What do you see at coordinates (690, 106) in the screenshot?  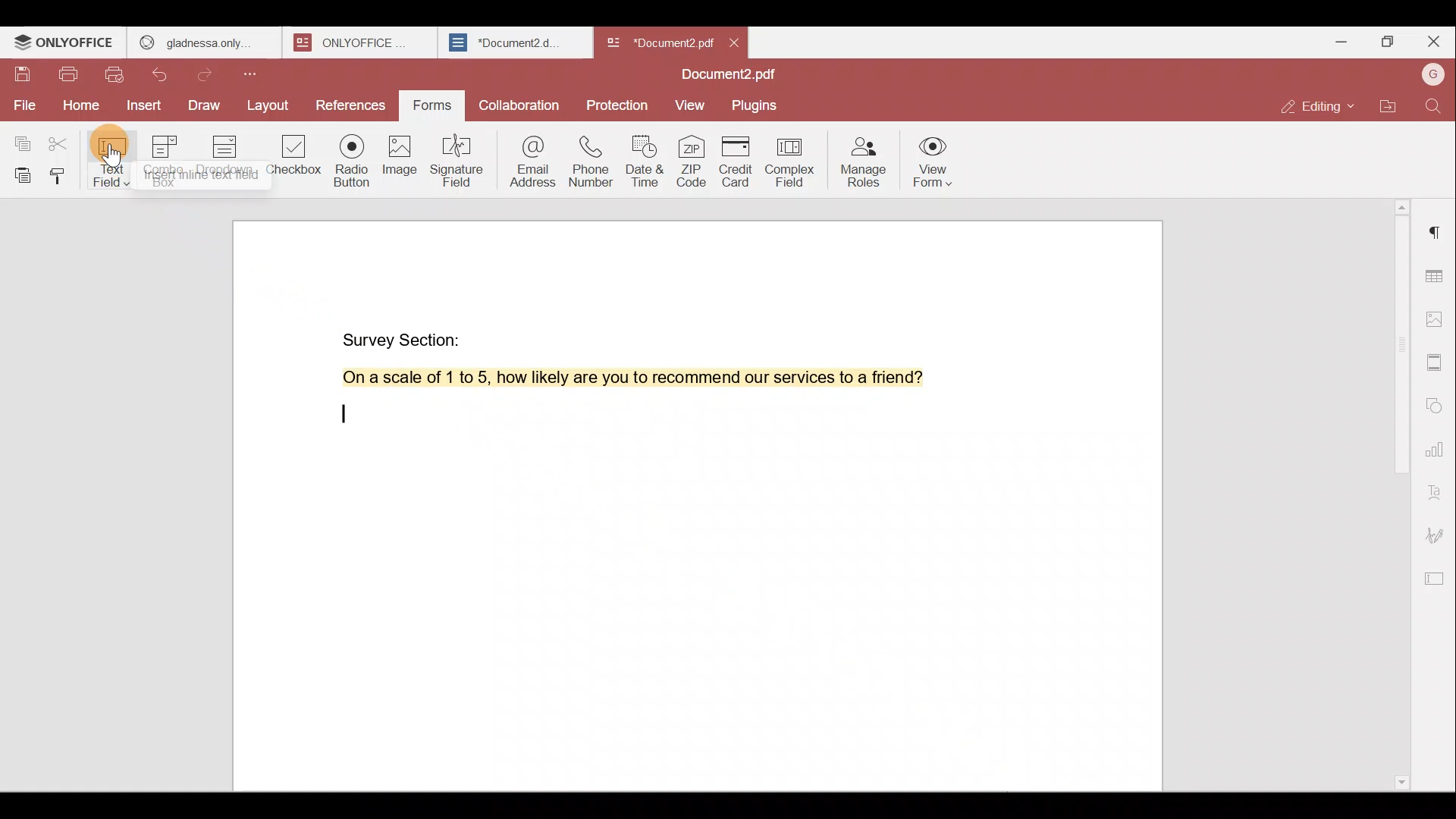 I see `View` at bounding box center [690, 106].